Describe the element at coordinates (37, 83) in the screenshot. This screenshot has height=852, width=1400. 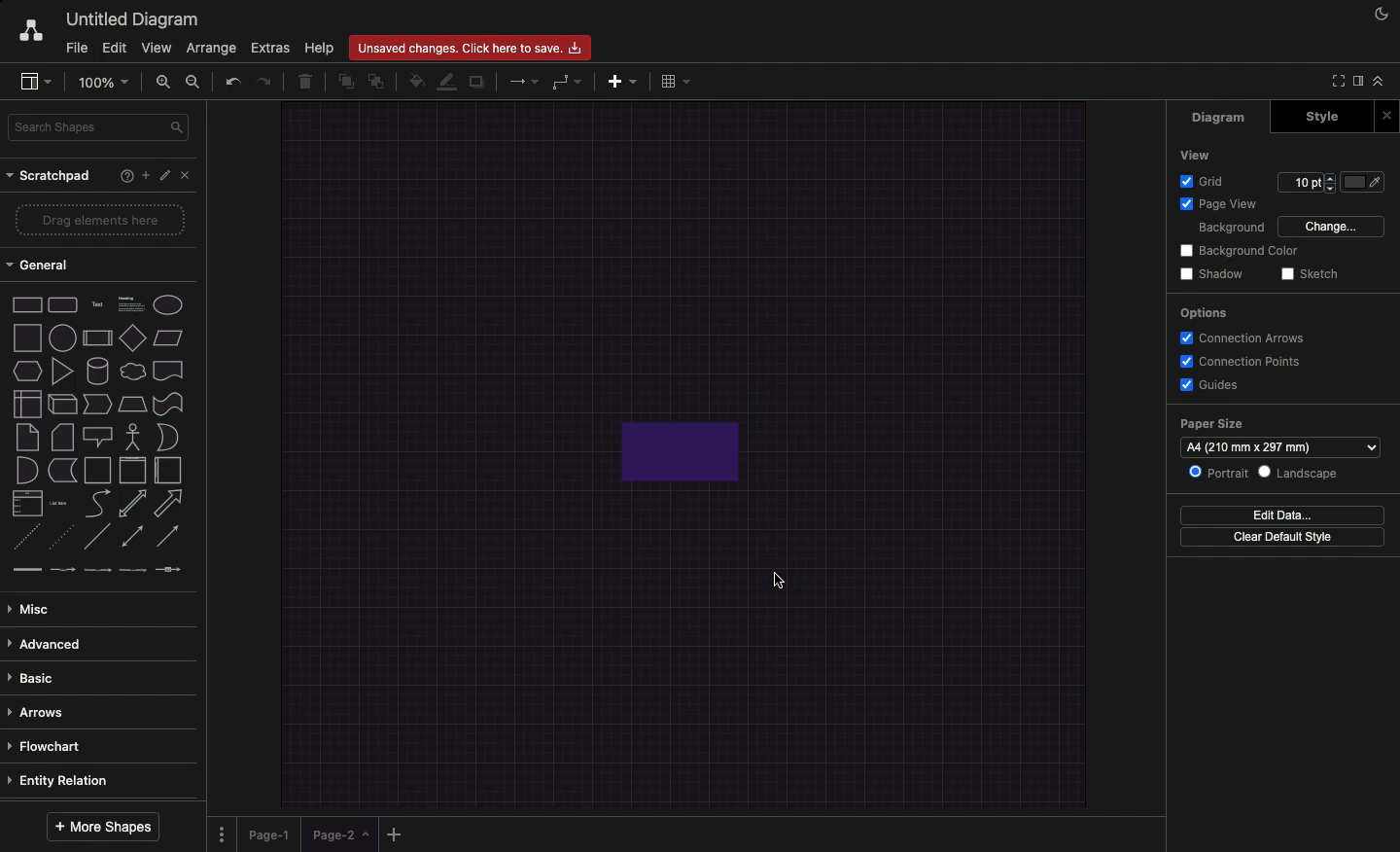
I see `Sidebar` at that location.